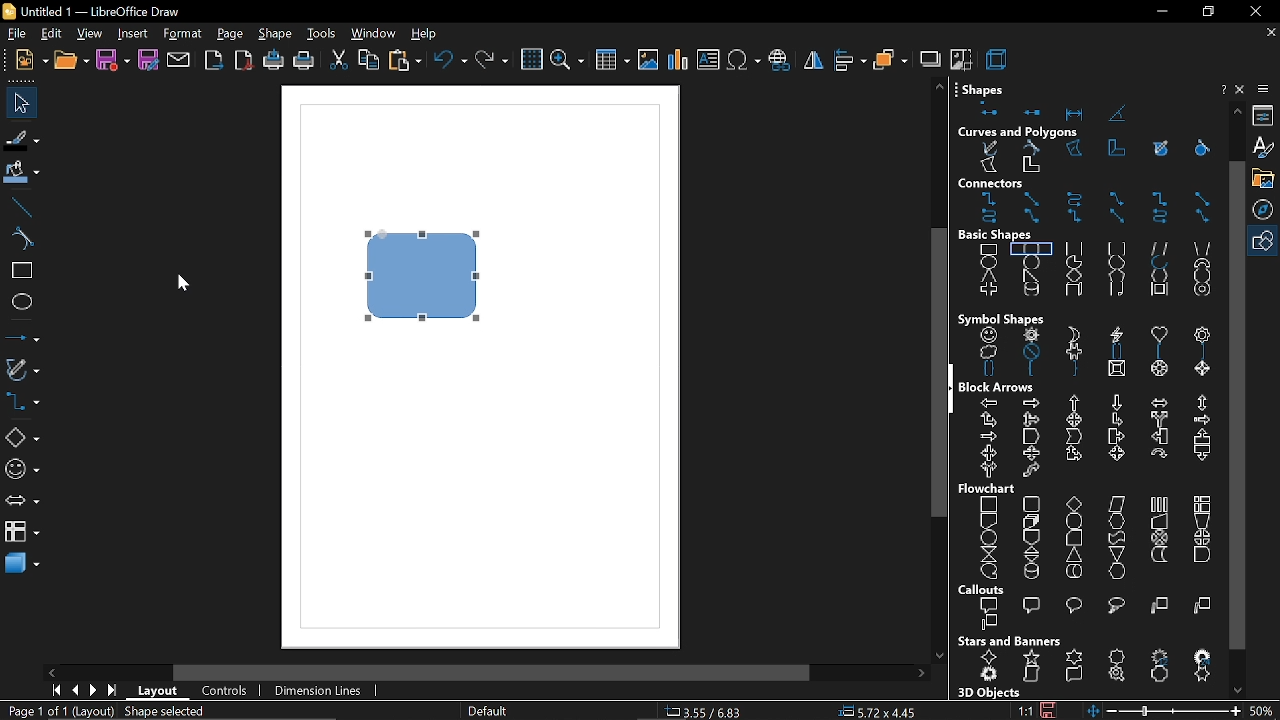 The height and width of the screenshot is (720, 1280). Describe the element at coordinates (22, 302) in the screenshot. I see `ellipse` at that location.